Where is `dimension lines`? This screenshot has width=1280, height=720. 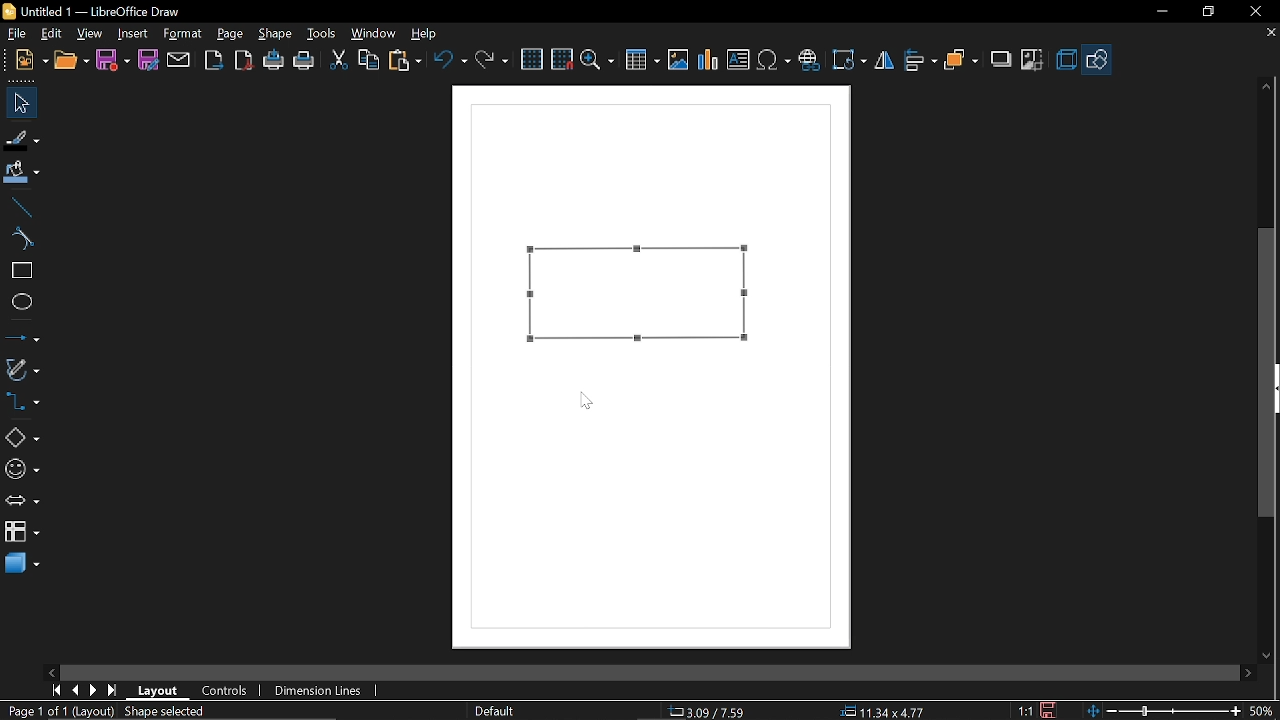
dimension lines is located at coordinates (320, 691).